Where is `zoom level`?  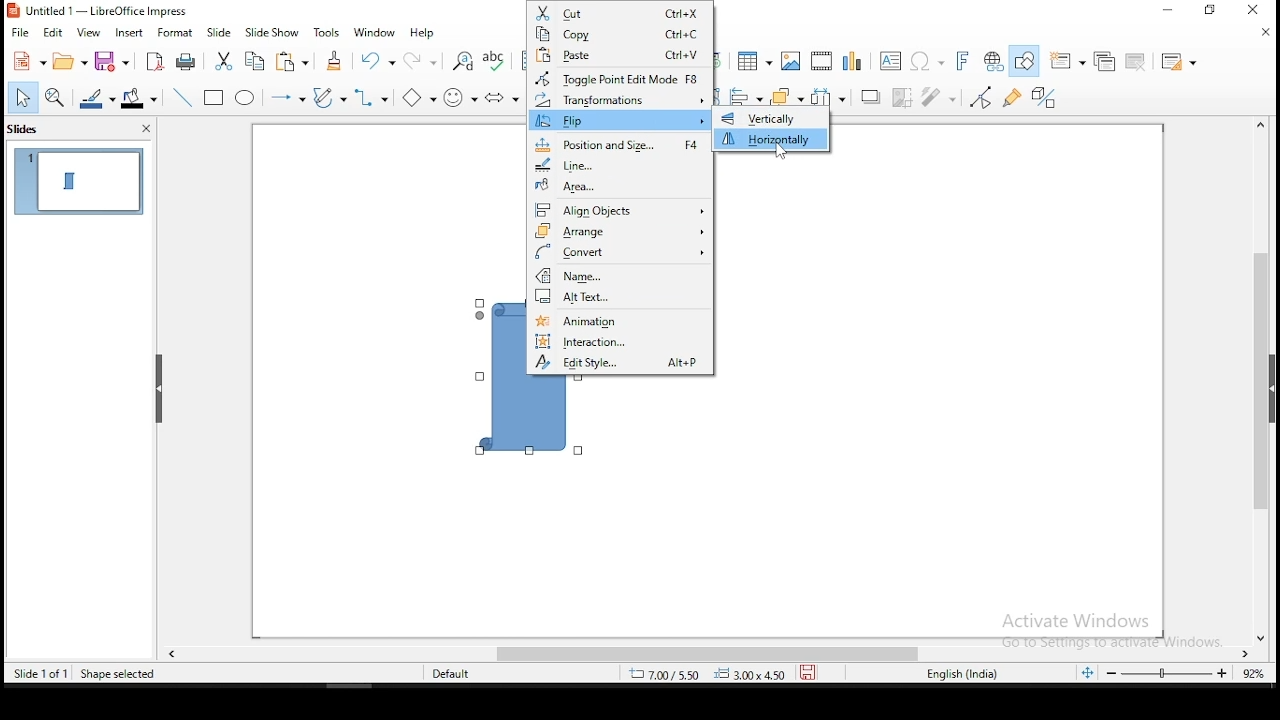
zoom level is located at coordinates (1251, 672).